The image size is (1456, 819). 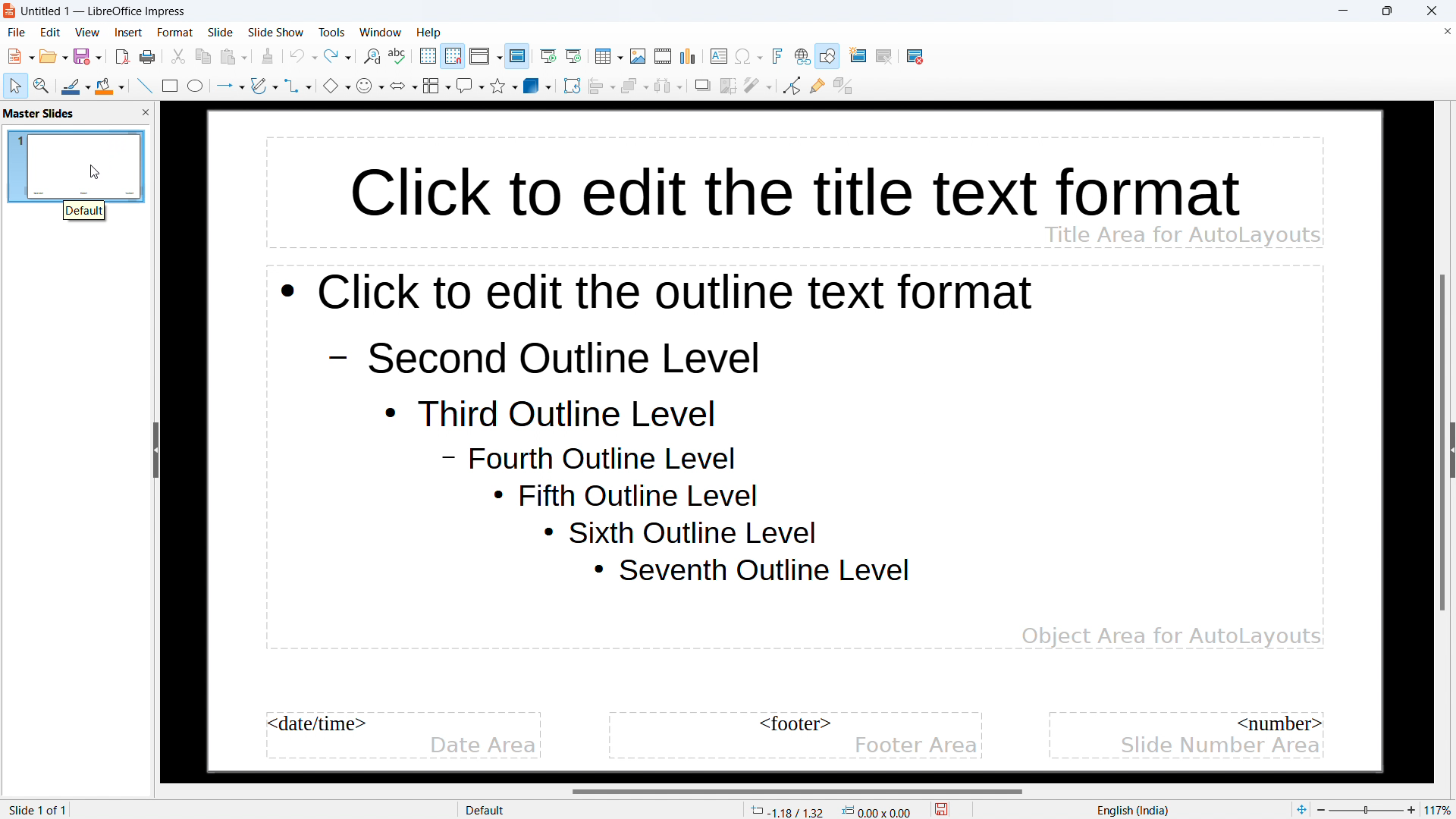 What do you see at coordinates (1451, 450) in the screenshot?
I see `expand` at bounding box center [1451, 450].